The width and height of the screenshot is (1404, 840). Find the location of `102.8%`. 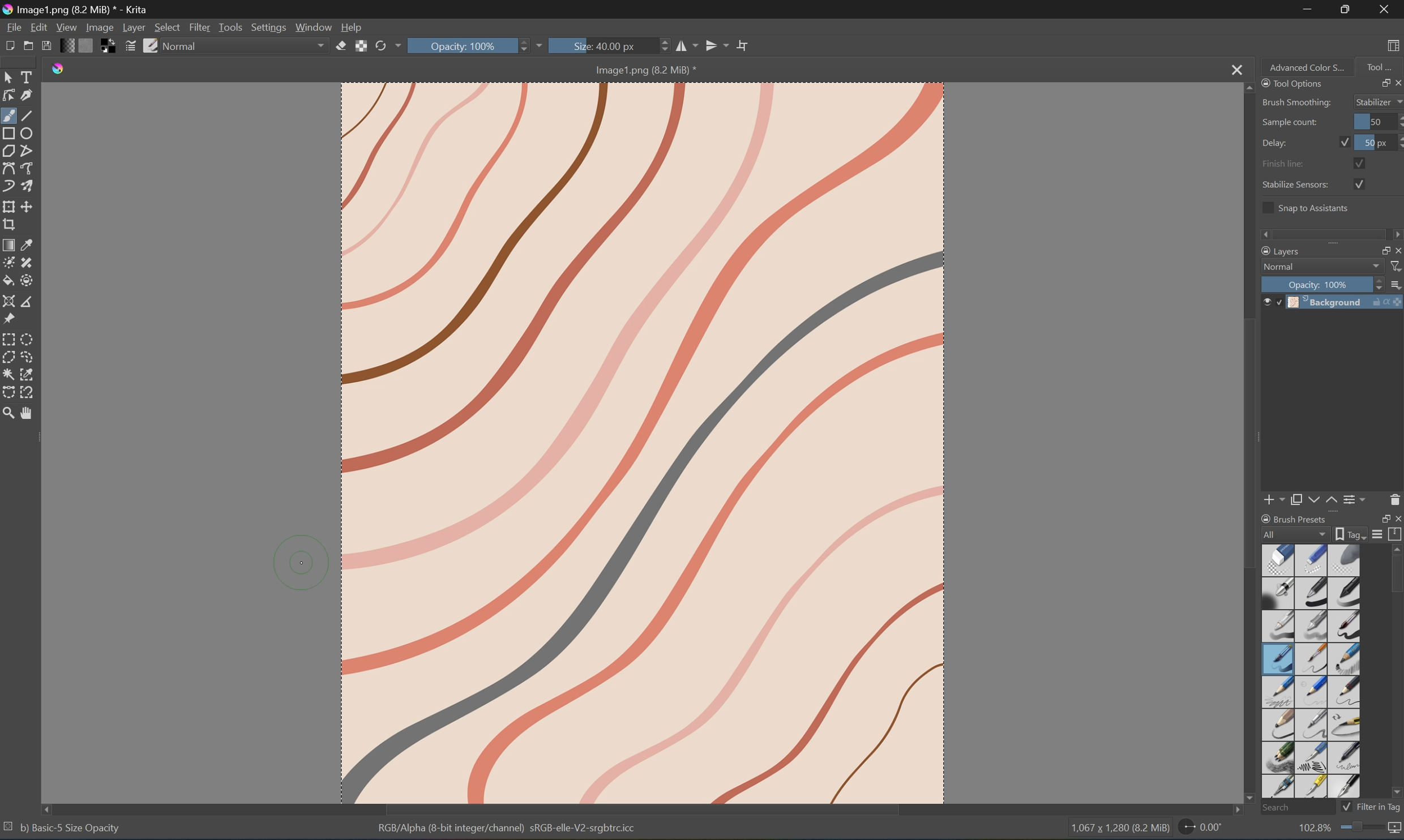

102.8% is located at coordinates (1313, 829).